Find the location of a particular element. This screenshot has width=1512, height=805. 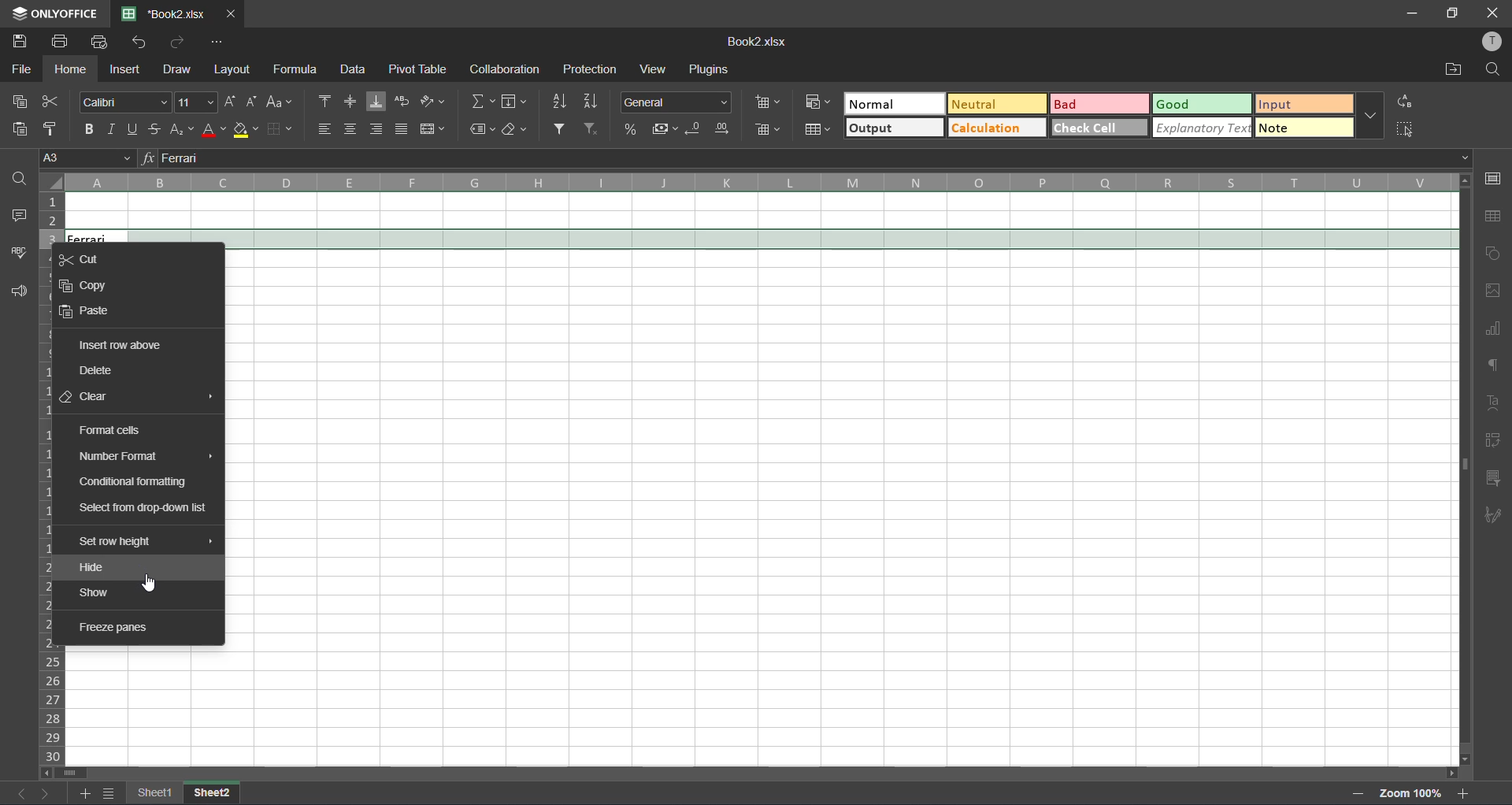

bold is located at coordinates (89, 127).